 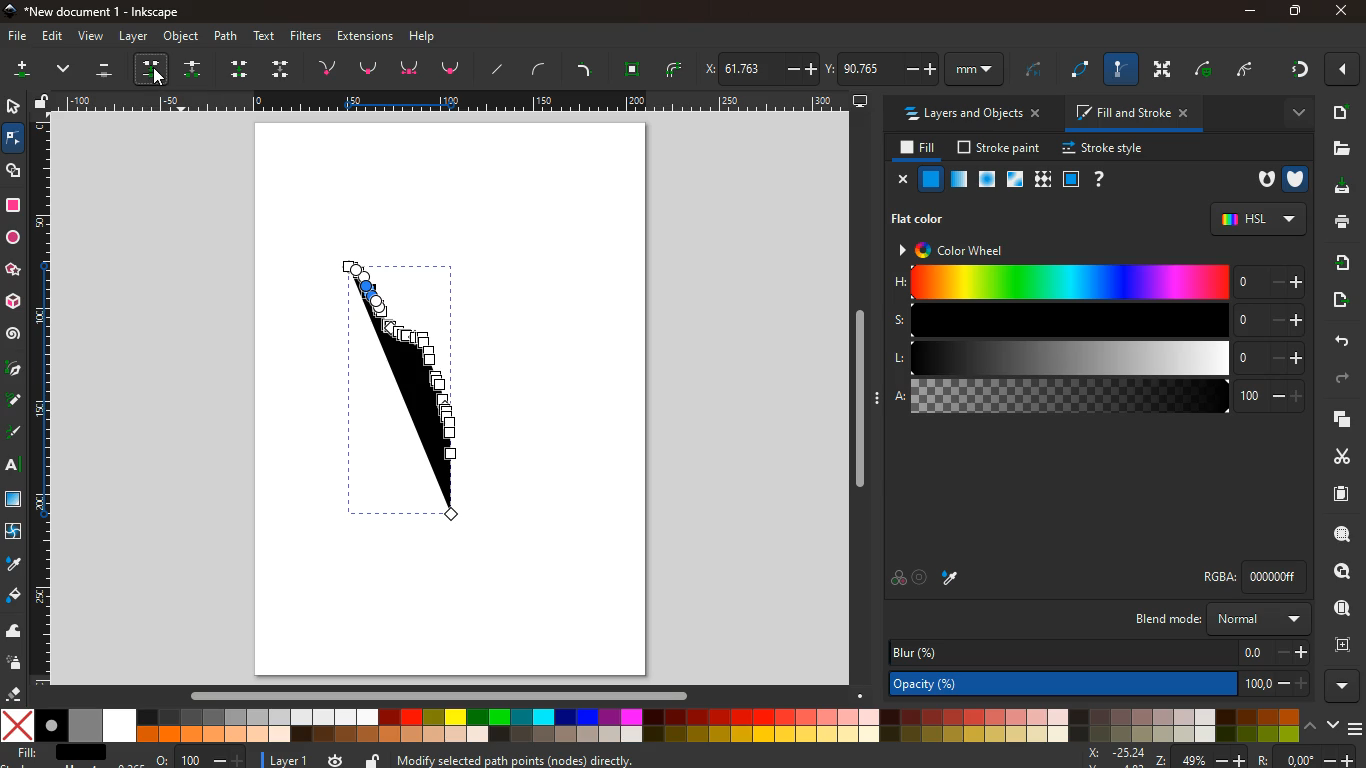 What do you see at coordinates (1298, 72) in the screenshot?
I see `gradient` at bounding box center [1298, 72].